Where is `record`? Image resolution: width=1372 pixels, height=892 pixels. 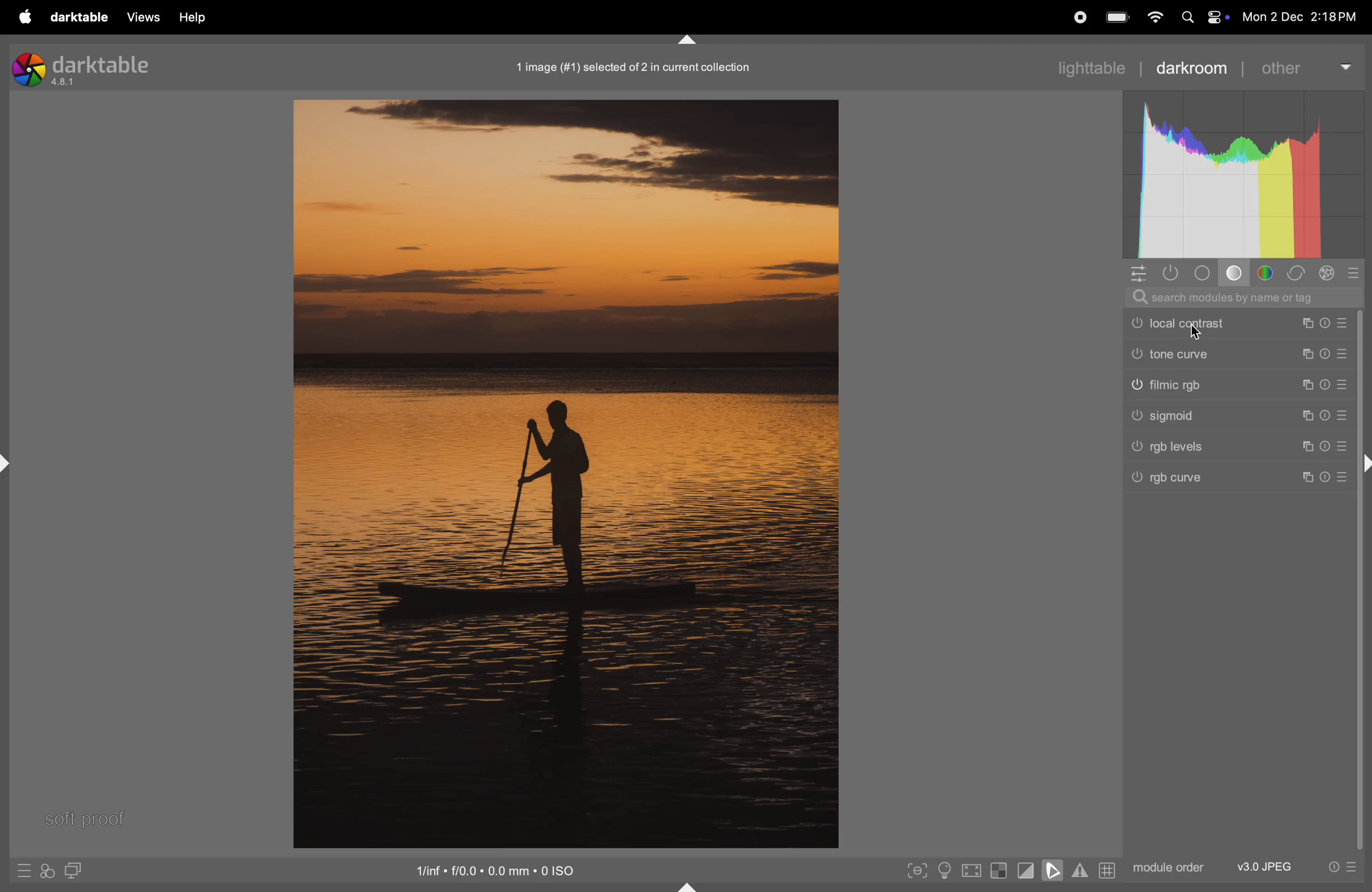 record is located at coordinates (1083, 18).